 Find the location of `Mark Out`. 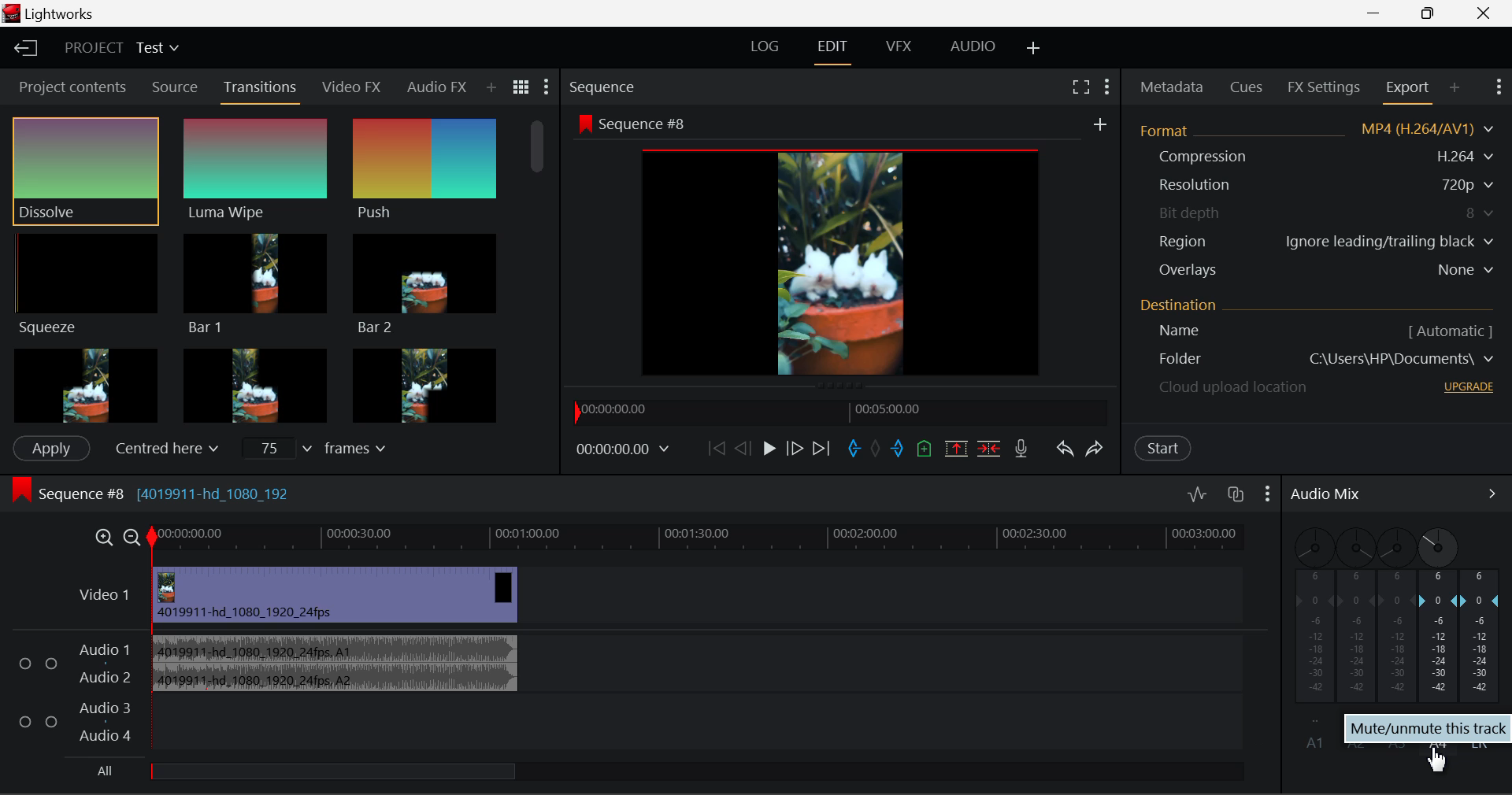

Mark Out is located at coordinates (899, 449).